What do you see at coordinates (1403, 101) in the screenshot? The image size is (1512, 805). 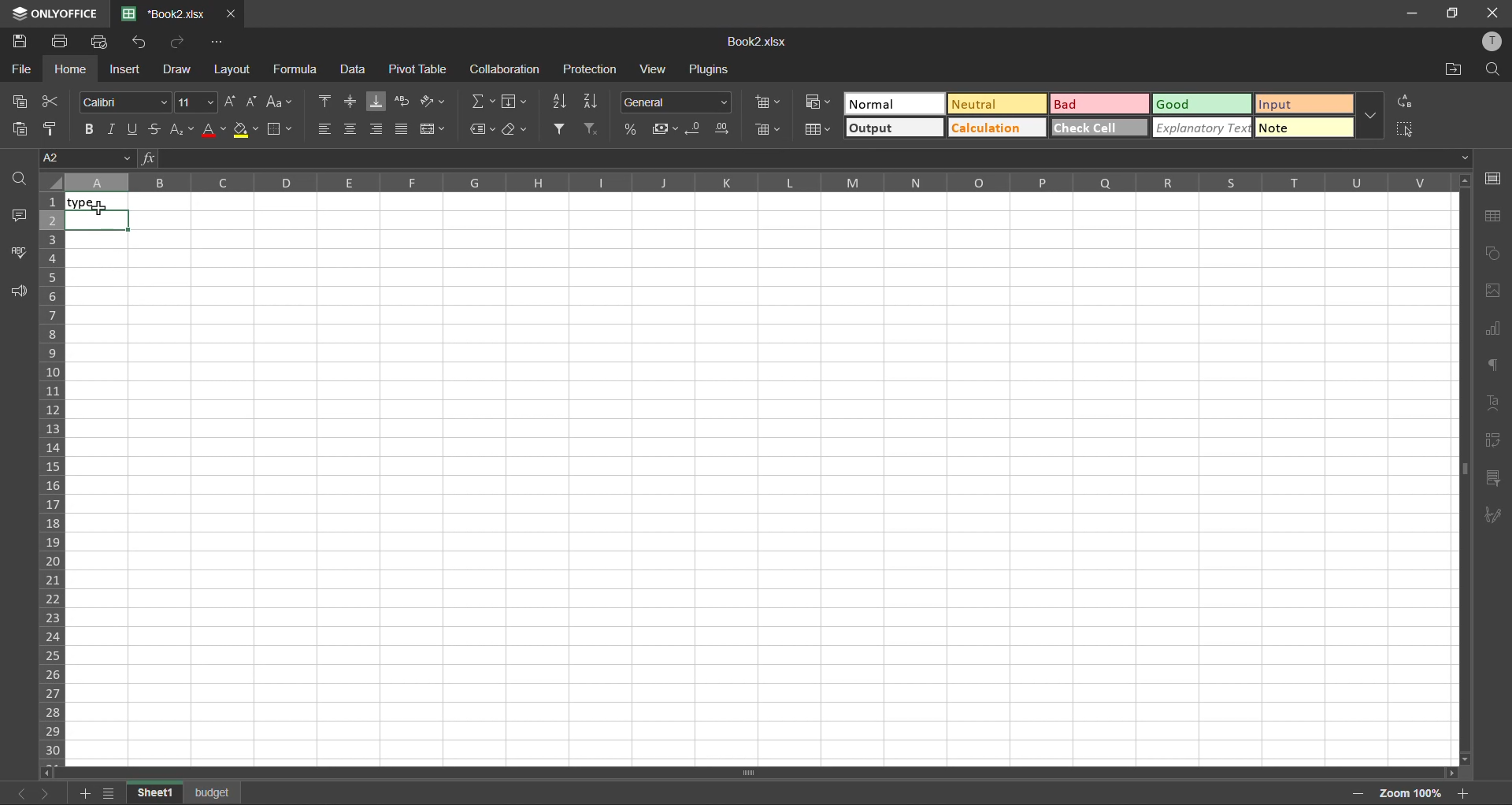 I see `replace` at bounding box center [1403, 101].